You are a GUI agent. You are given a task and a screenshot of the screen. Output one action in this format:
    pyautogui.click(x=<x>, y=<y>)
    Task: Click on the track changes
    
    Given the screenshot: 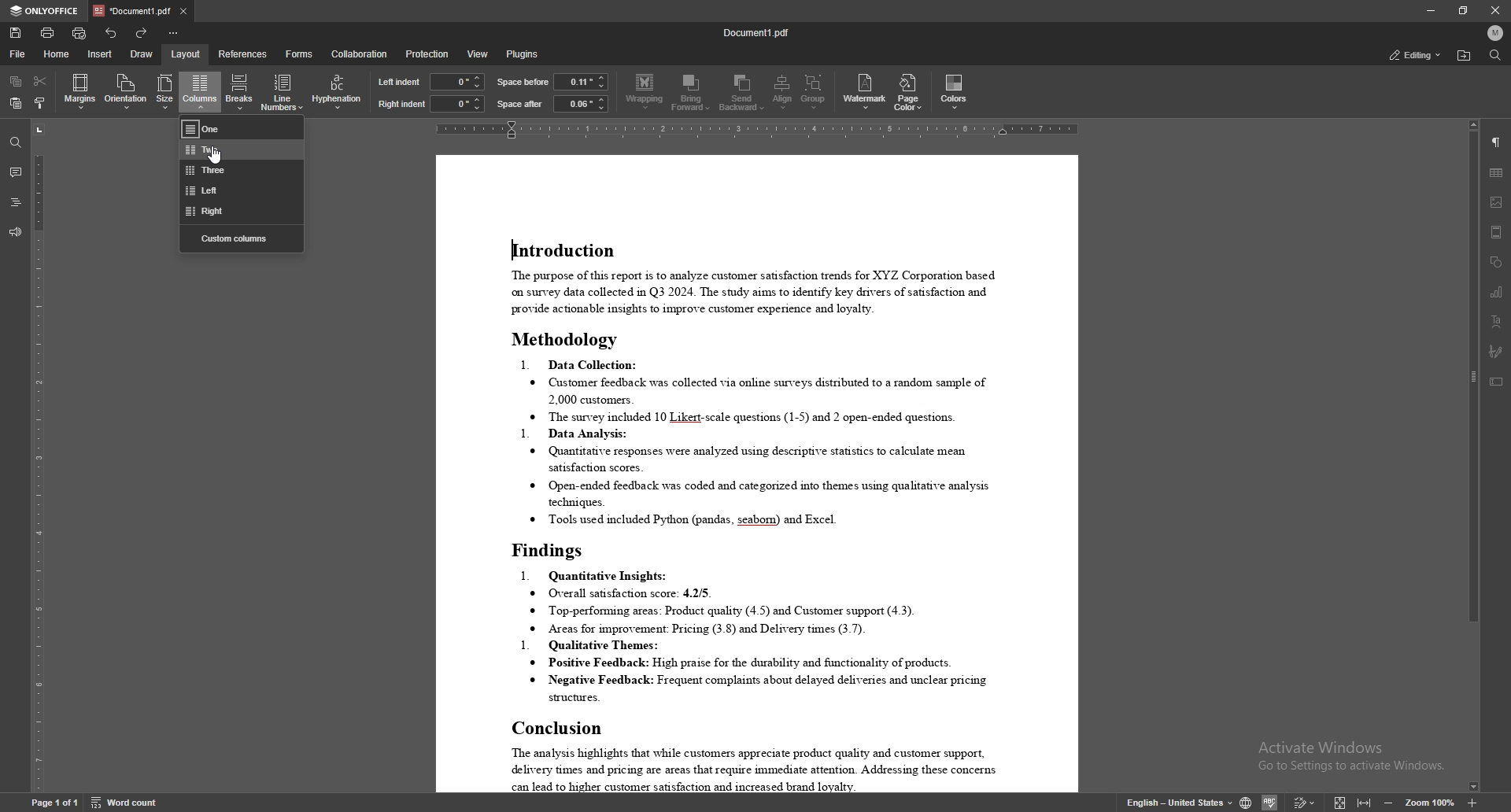 What is the action you would take?
    pyautogui.click(x=1305, y=802)
    